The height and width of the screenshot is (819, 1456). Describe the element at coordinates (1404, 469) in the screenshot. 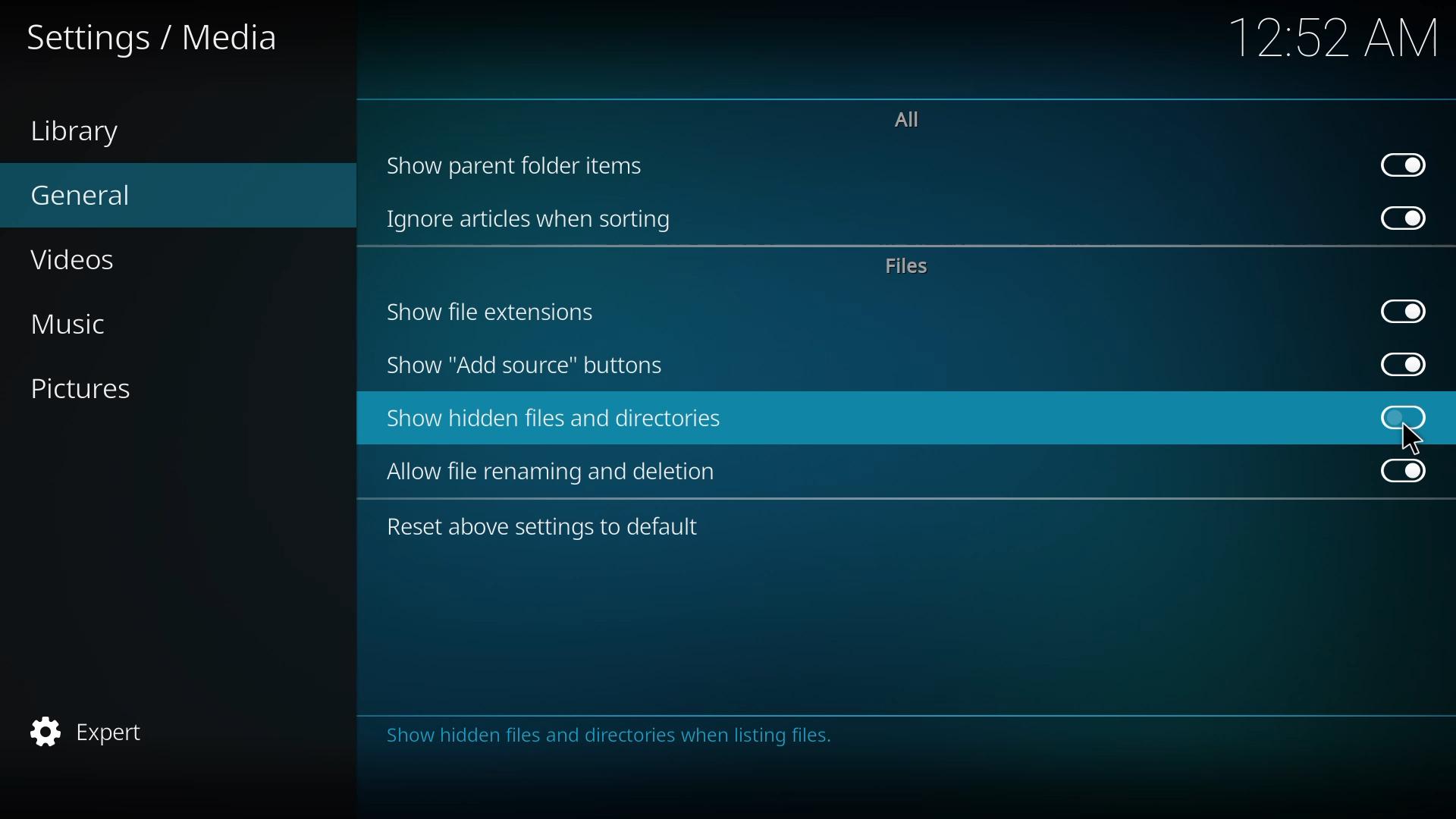

I see `enabled` at that location.